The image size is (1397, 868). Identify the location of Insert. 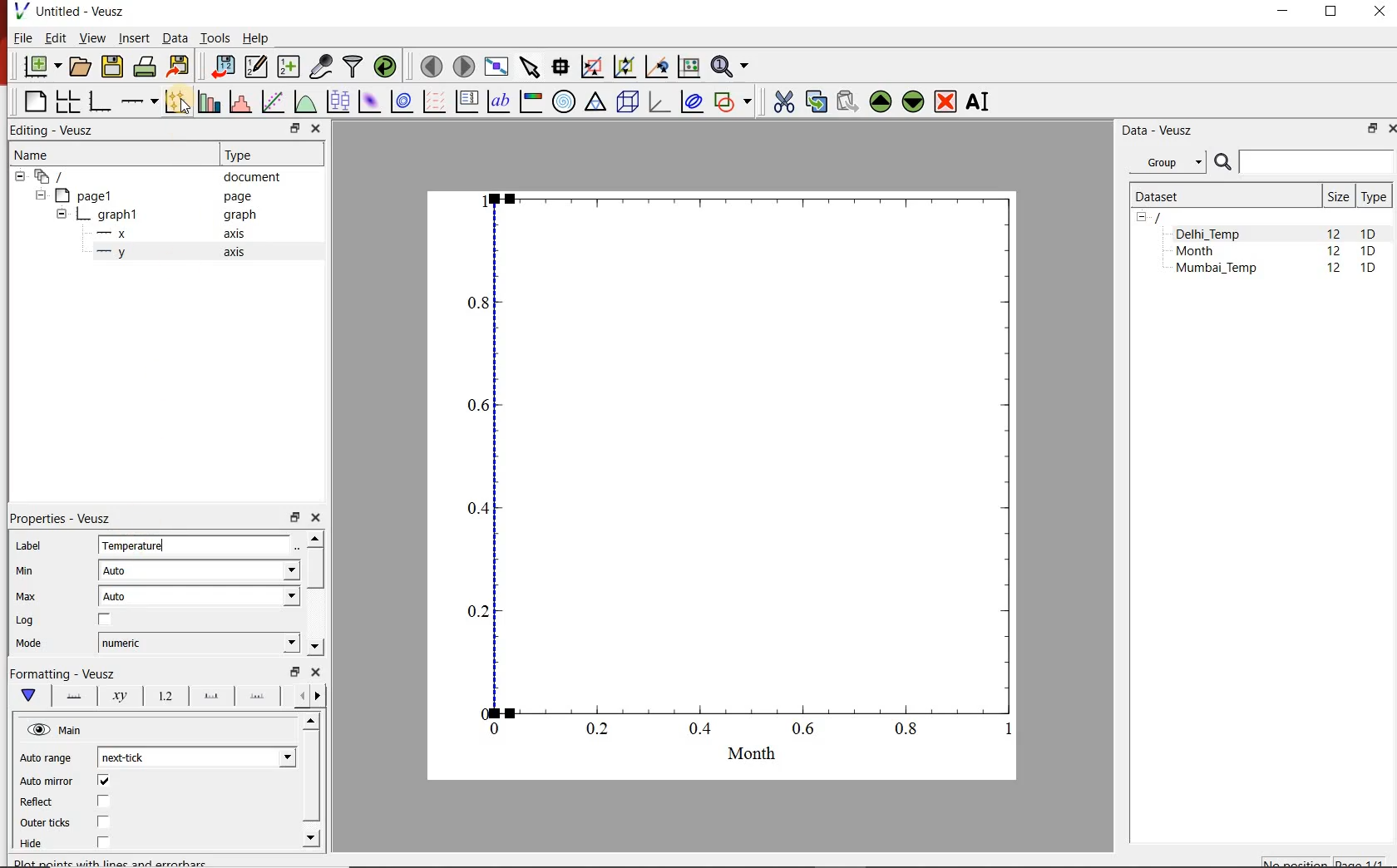
(133, 37).